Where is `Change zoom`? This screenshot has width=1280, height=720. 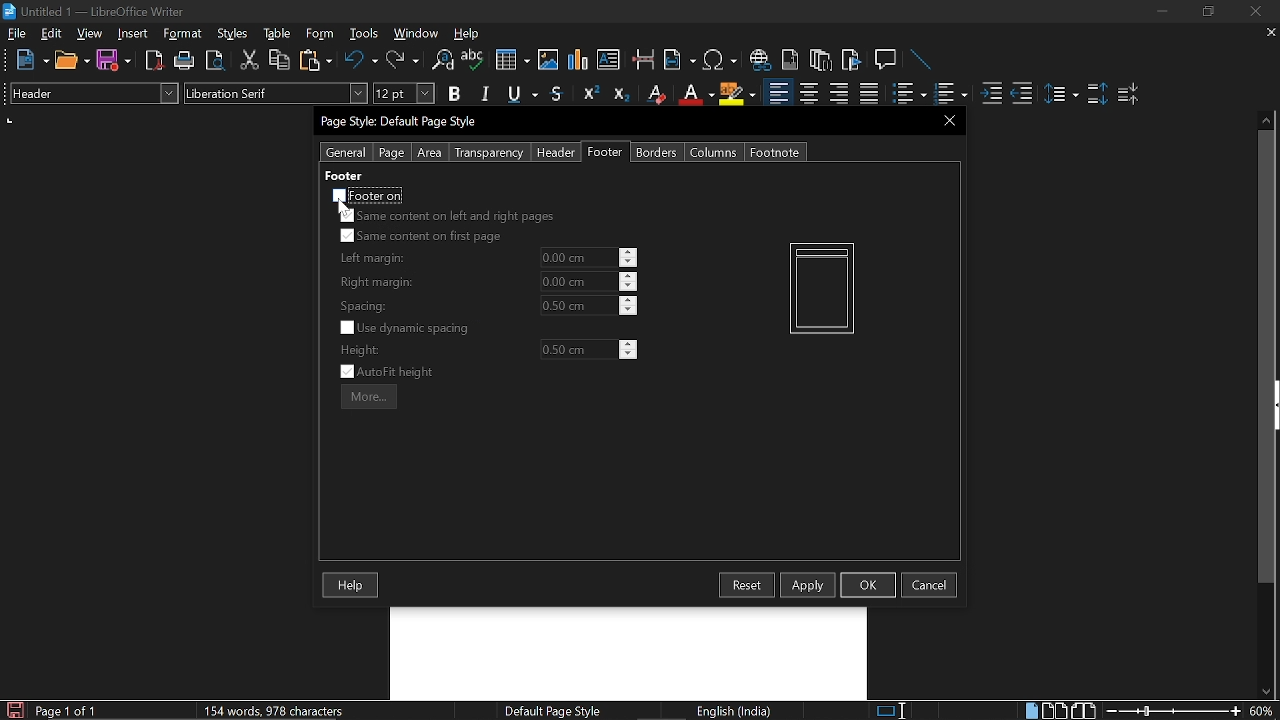 Change zoom is located at coordinates (1174, 711).